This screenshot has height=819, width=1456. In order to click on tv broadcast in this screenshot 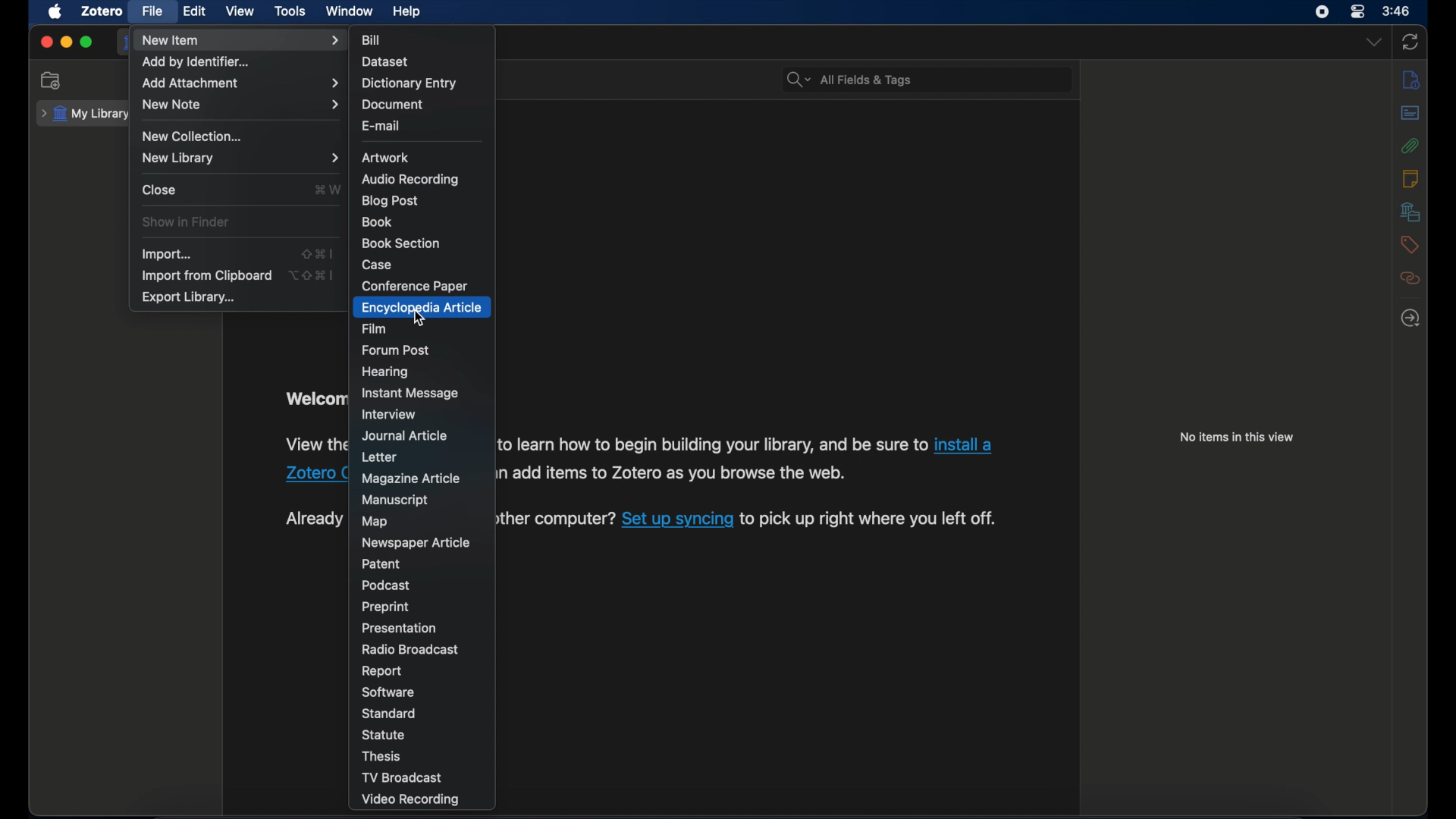, I will do `click(401, 777)`.